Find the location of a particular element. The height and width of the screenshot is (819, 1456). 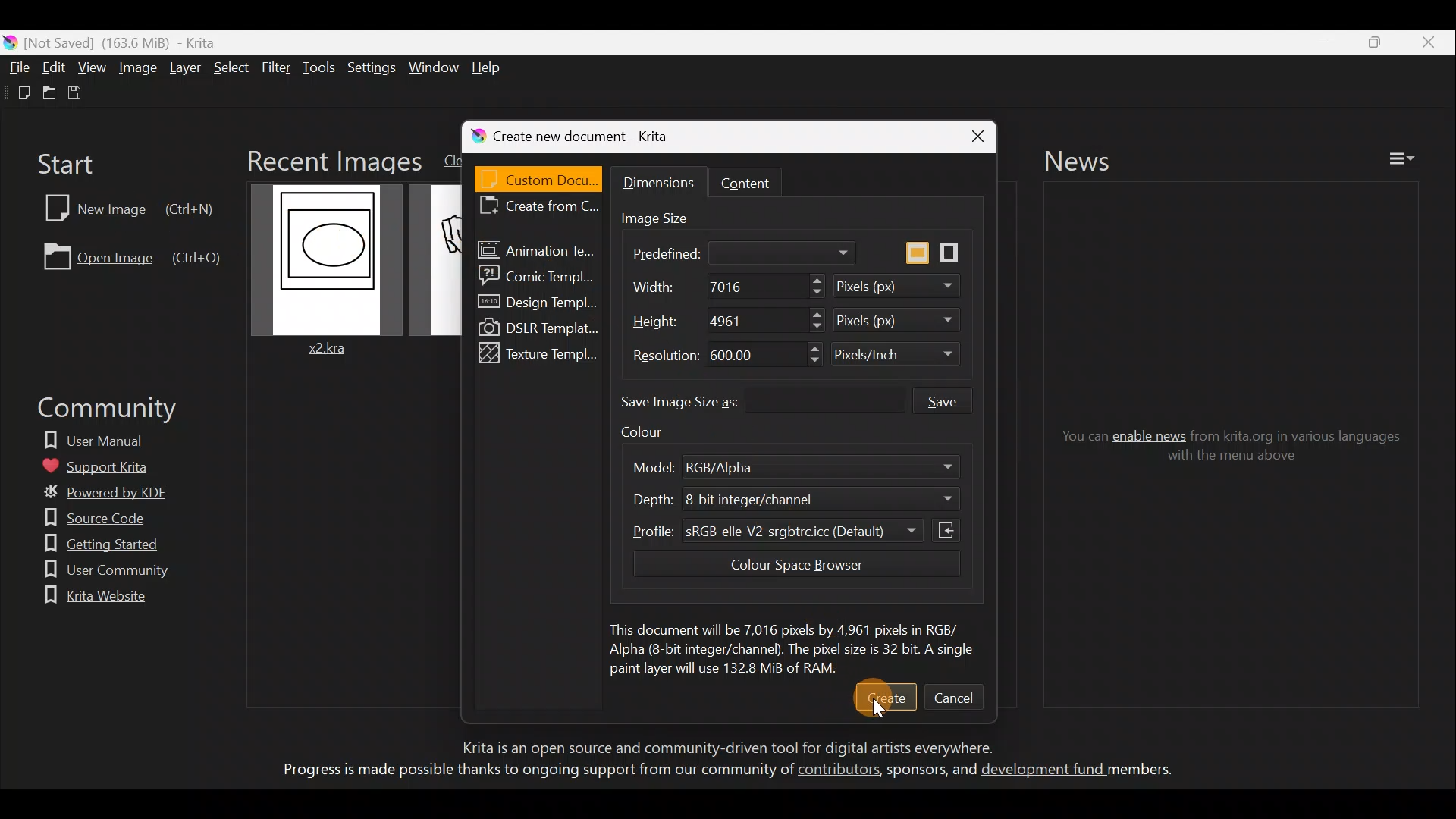

Layer is located at coordinates (187, 71).